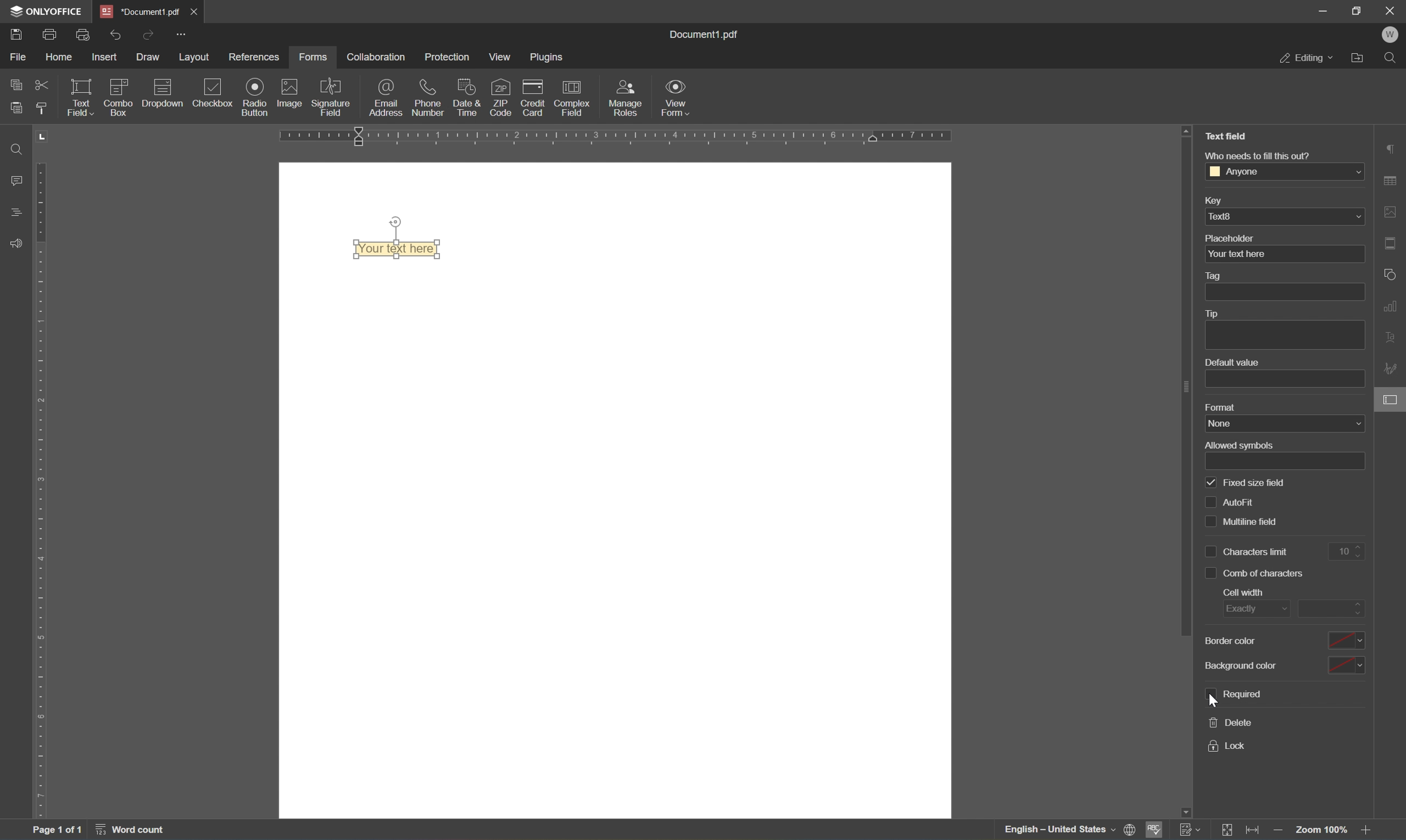 The image size is (1406, 840). Describe the element at coordinates (546, 57) in the screenshot. I see `plugins` at that location.